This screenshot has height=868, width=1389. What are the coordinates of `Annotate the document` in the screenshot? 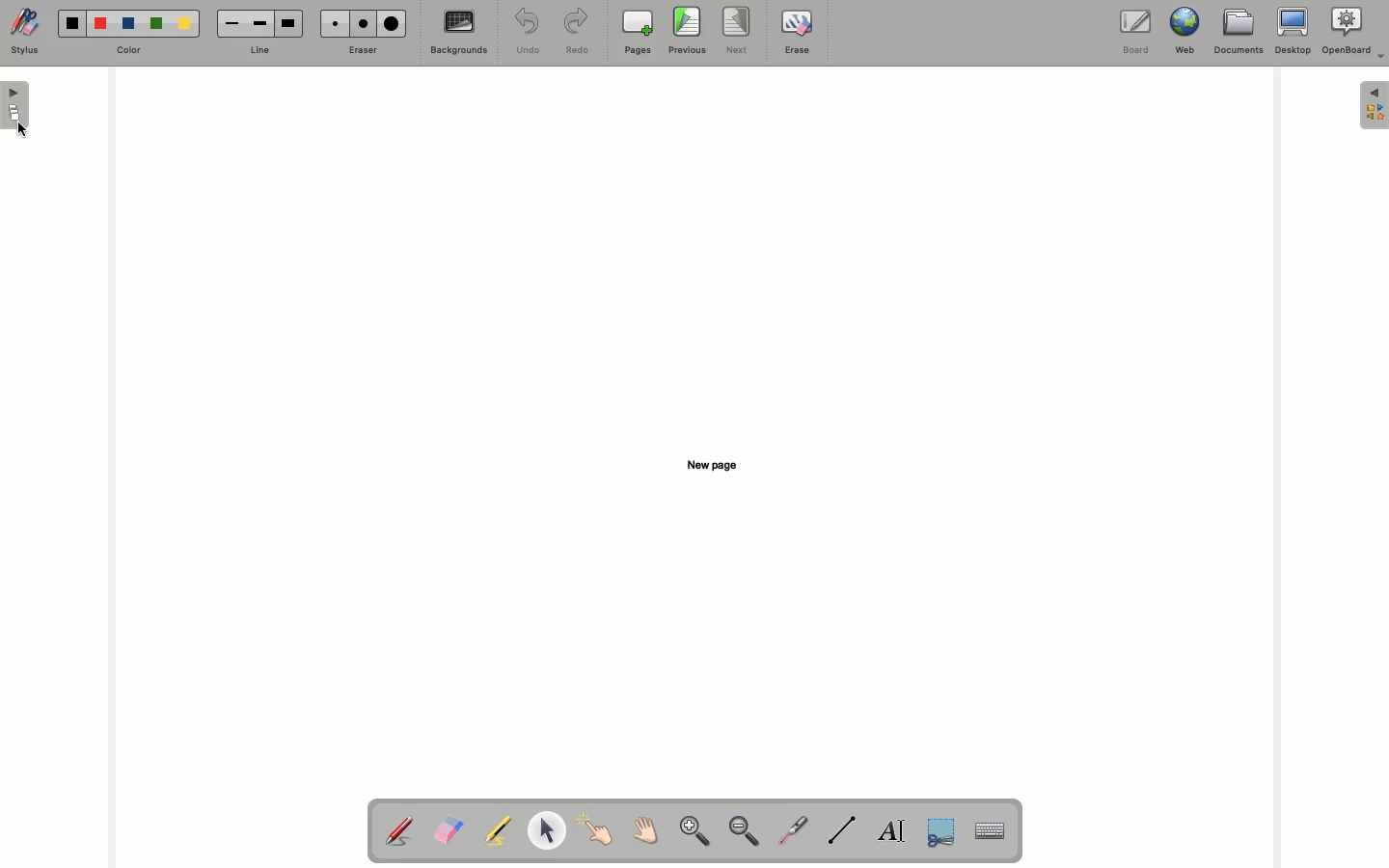 It's located at (398, 832).